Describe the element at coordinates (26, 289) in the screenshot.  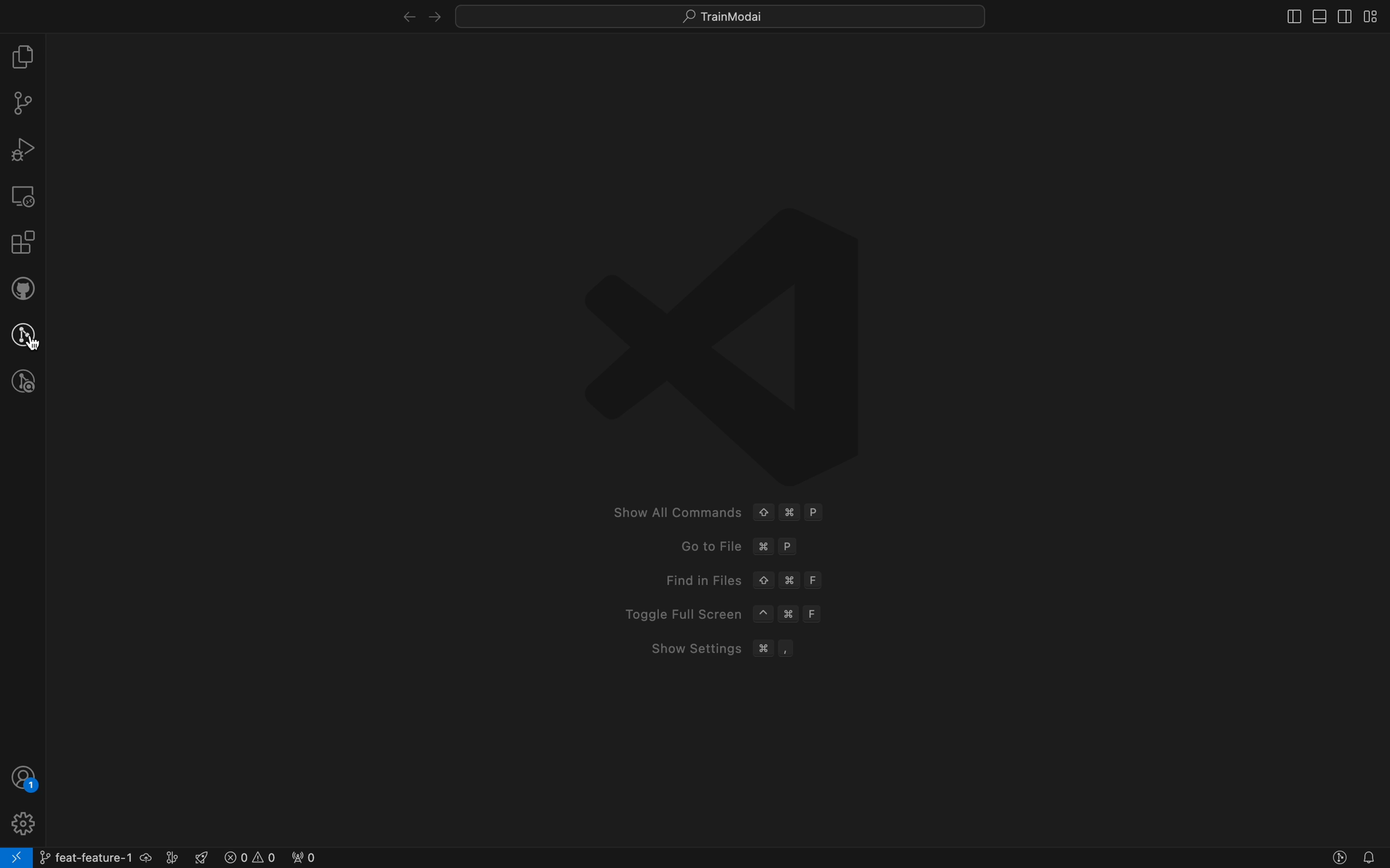
I see `github` at that location.